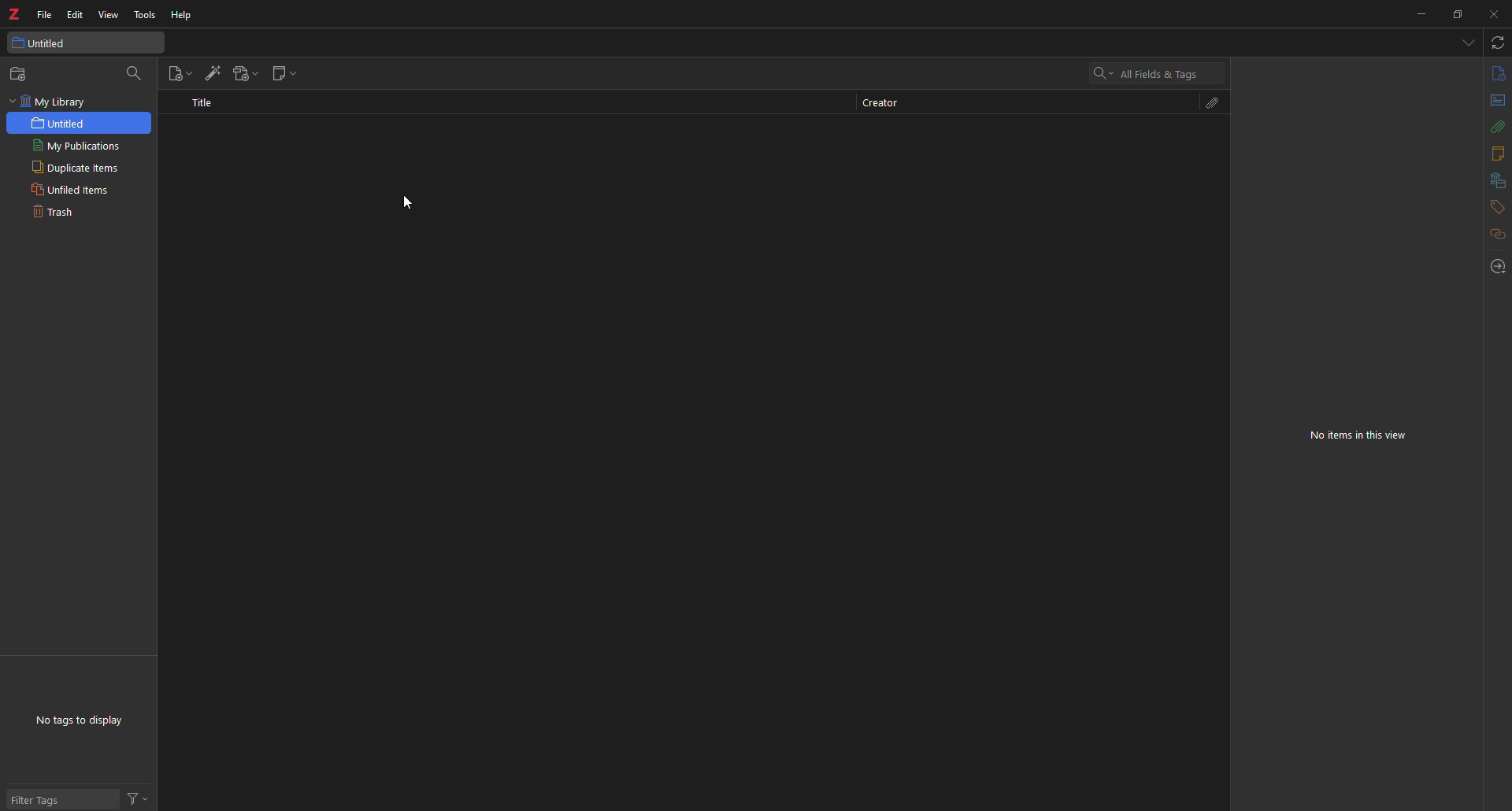 This screenshot has width=1512, height=811. What do you see at coordinates (209, 73) in the screenshot?
I see `add item` at bounding box center [209, 73].